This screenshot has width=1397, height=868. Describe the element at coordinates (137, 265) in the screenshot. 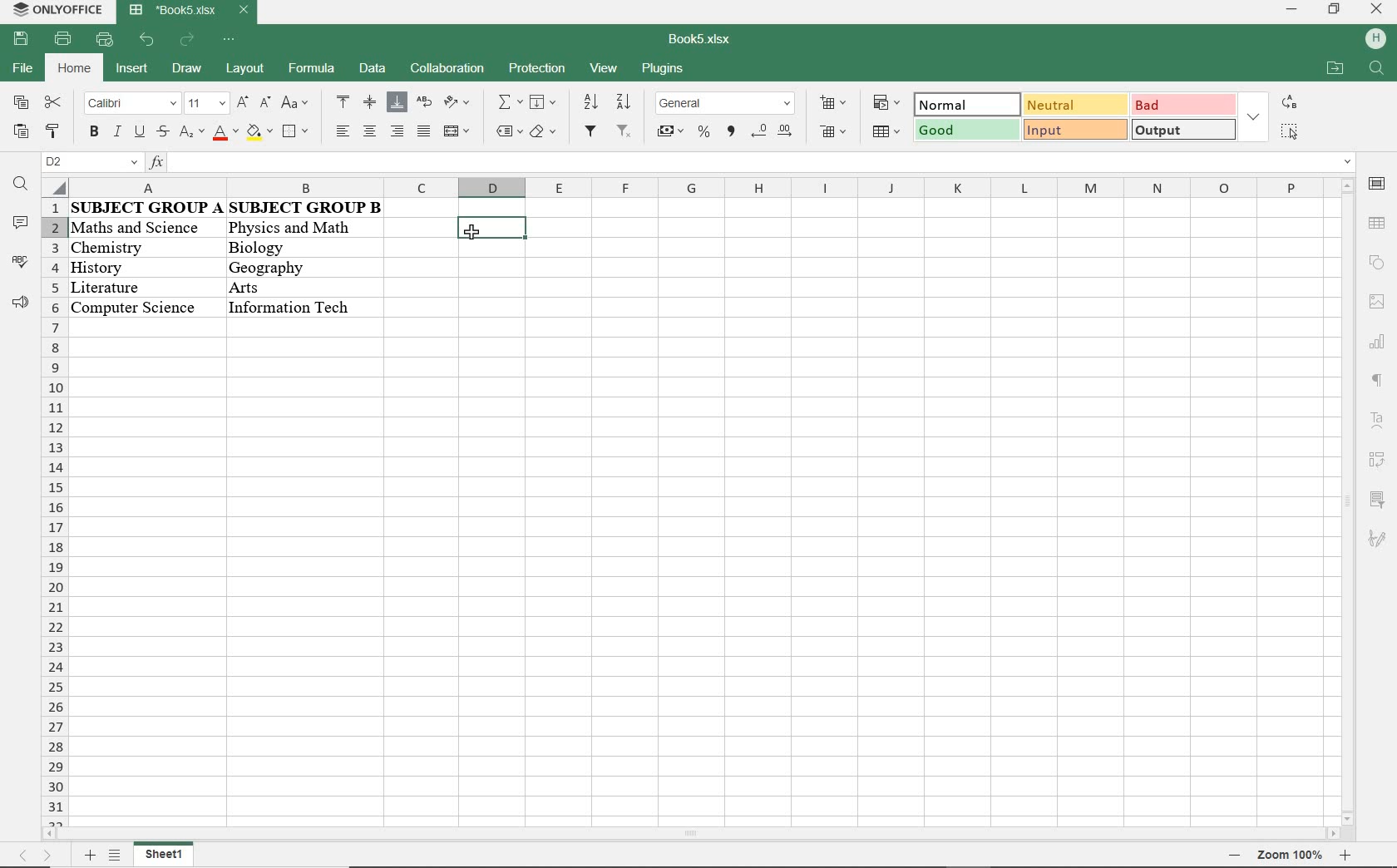

I see `history` at that location.